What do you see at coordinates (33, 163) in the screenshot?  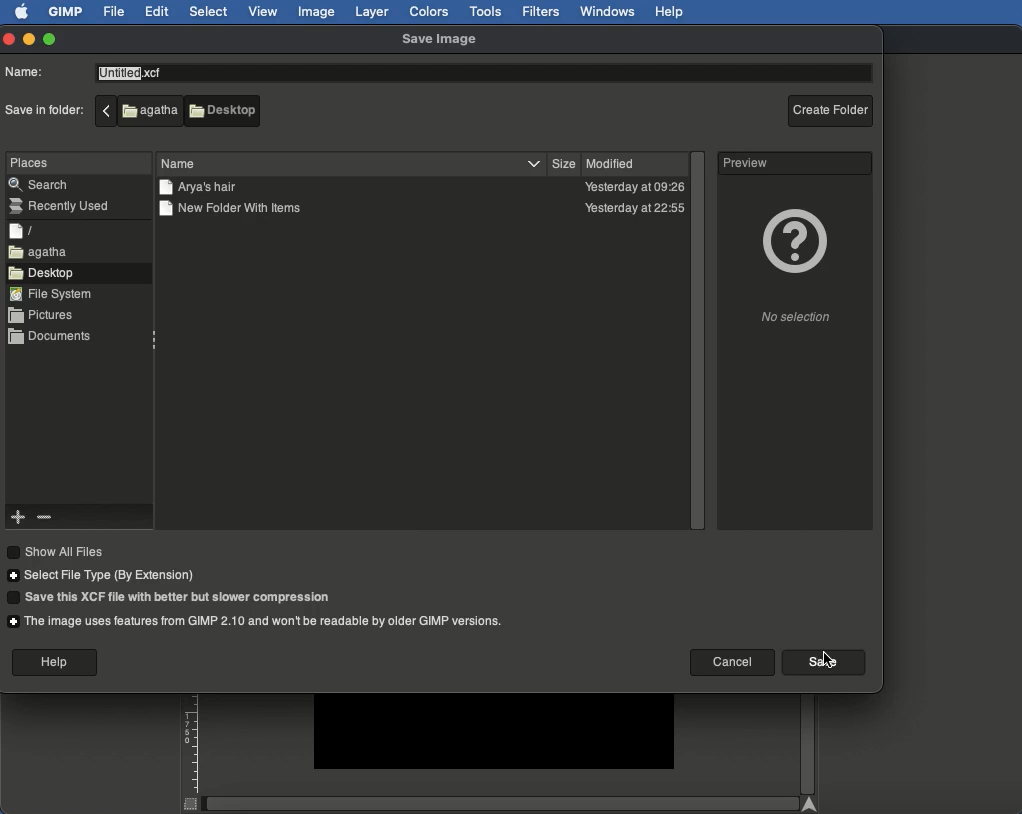 I see `Places` at bounding box center [33, 163].